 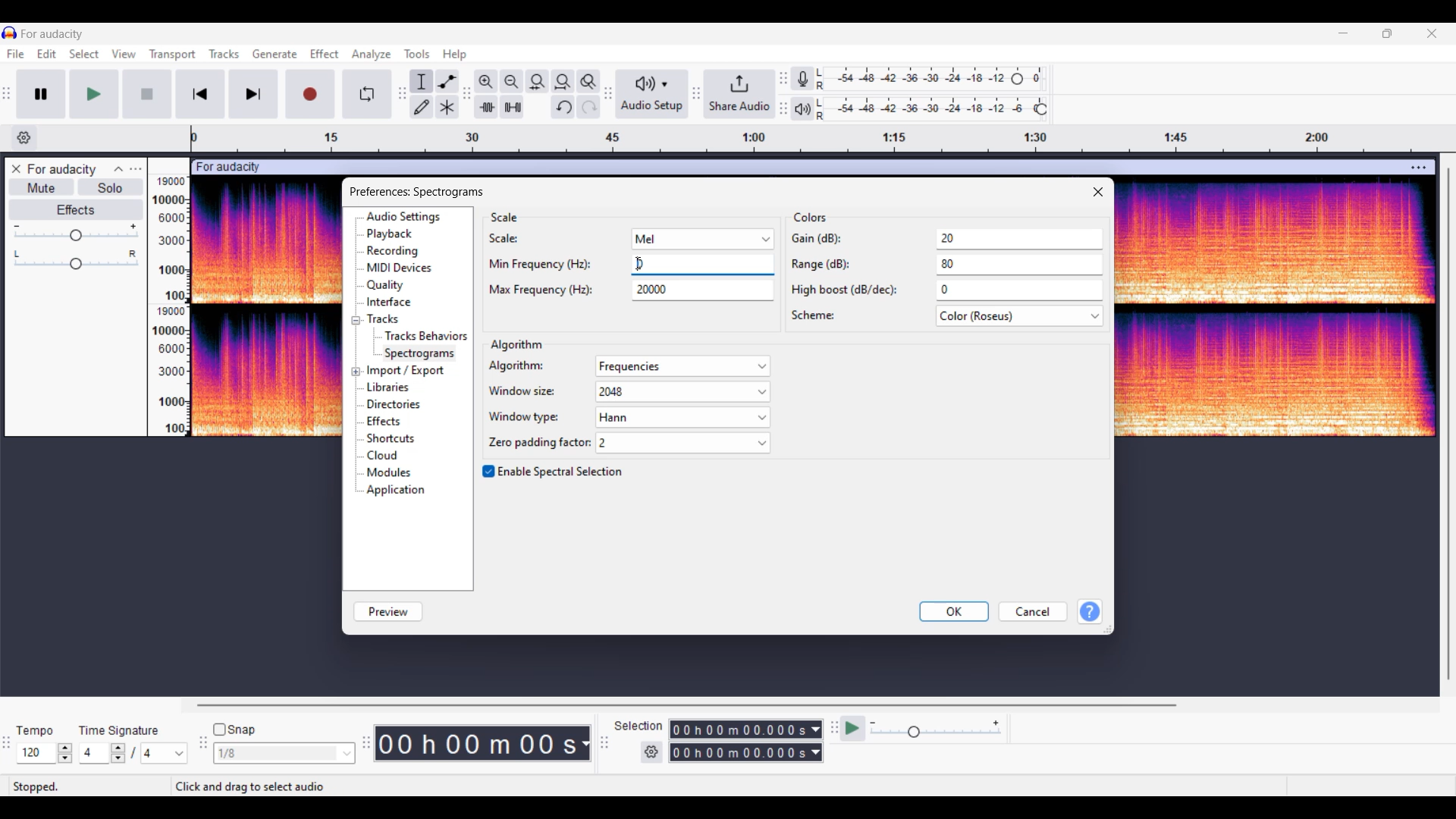 I want to click on Start, so click(x=148, y=94).